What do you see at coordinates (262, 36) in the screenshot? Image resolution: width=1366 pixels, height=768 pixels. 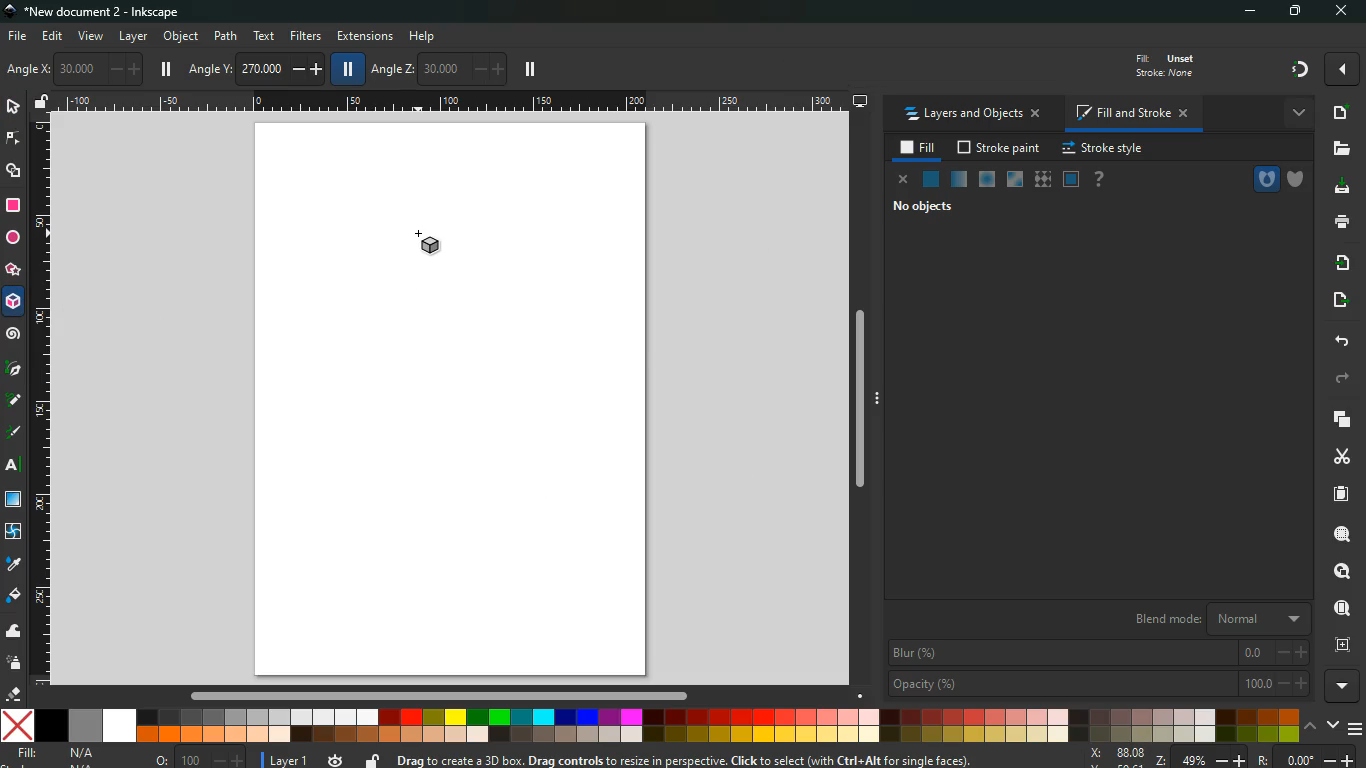 I see `text` at bounding box center [262, 36].